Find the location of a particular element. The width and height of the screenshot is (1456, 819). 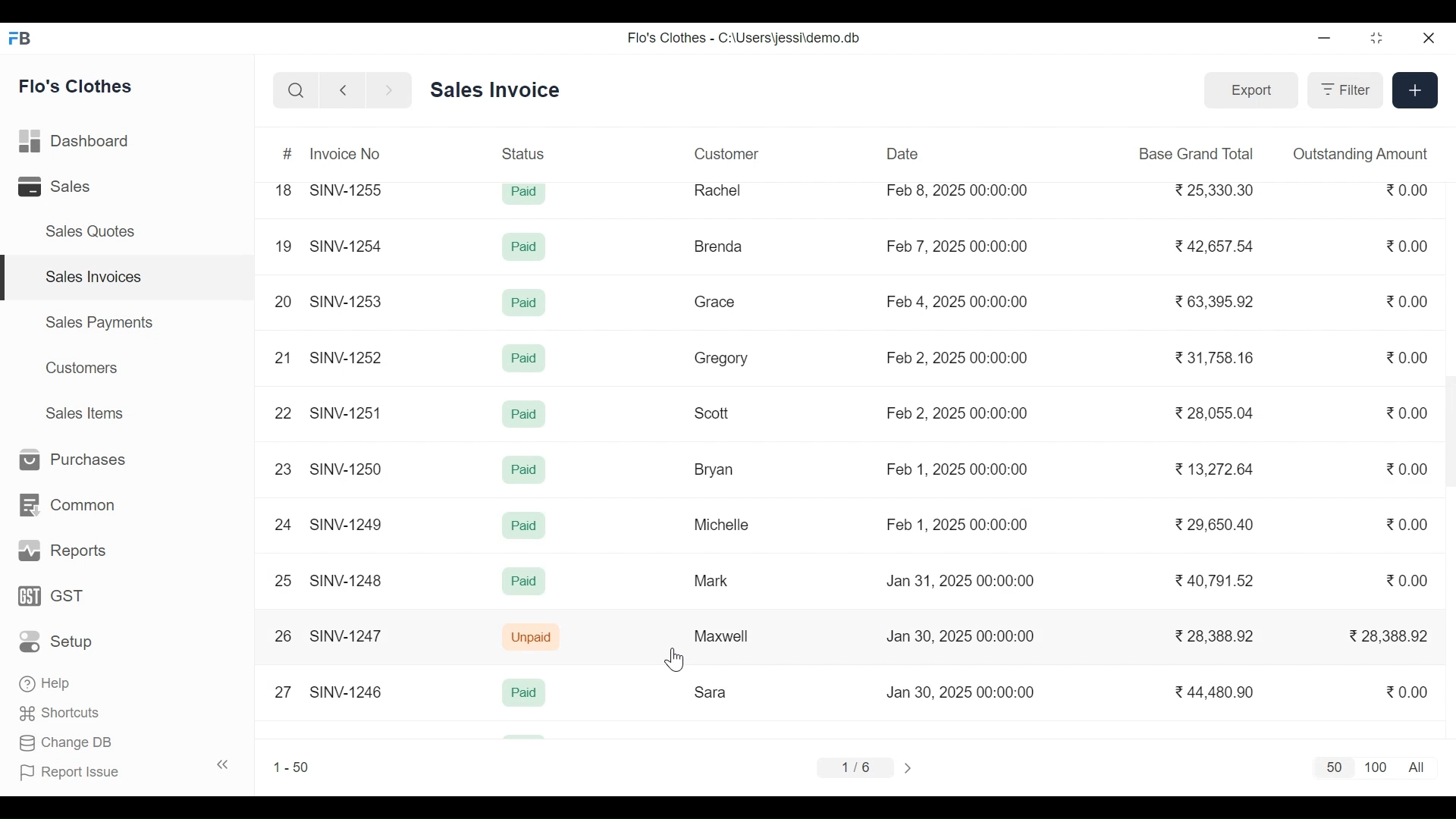

25 is located at coordinates (283, 579).